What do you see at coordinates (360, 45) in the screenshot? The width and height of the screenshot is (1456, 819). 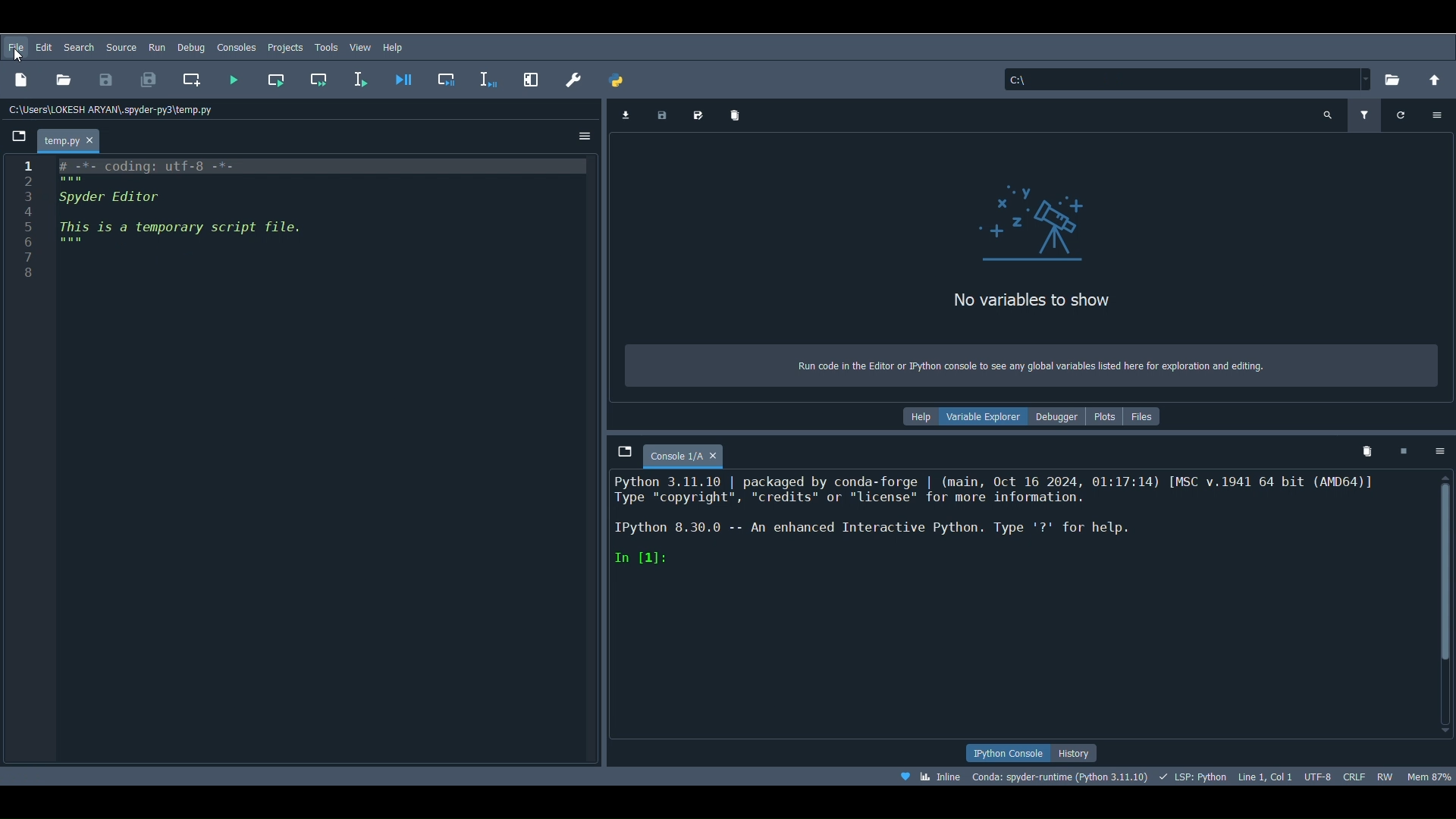 I see `View` at bounding box center [360, 45].